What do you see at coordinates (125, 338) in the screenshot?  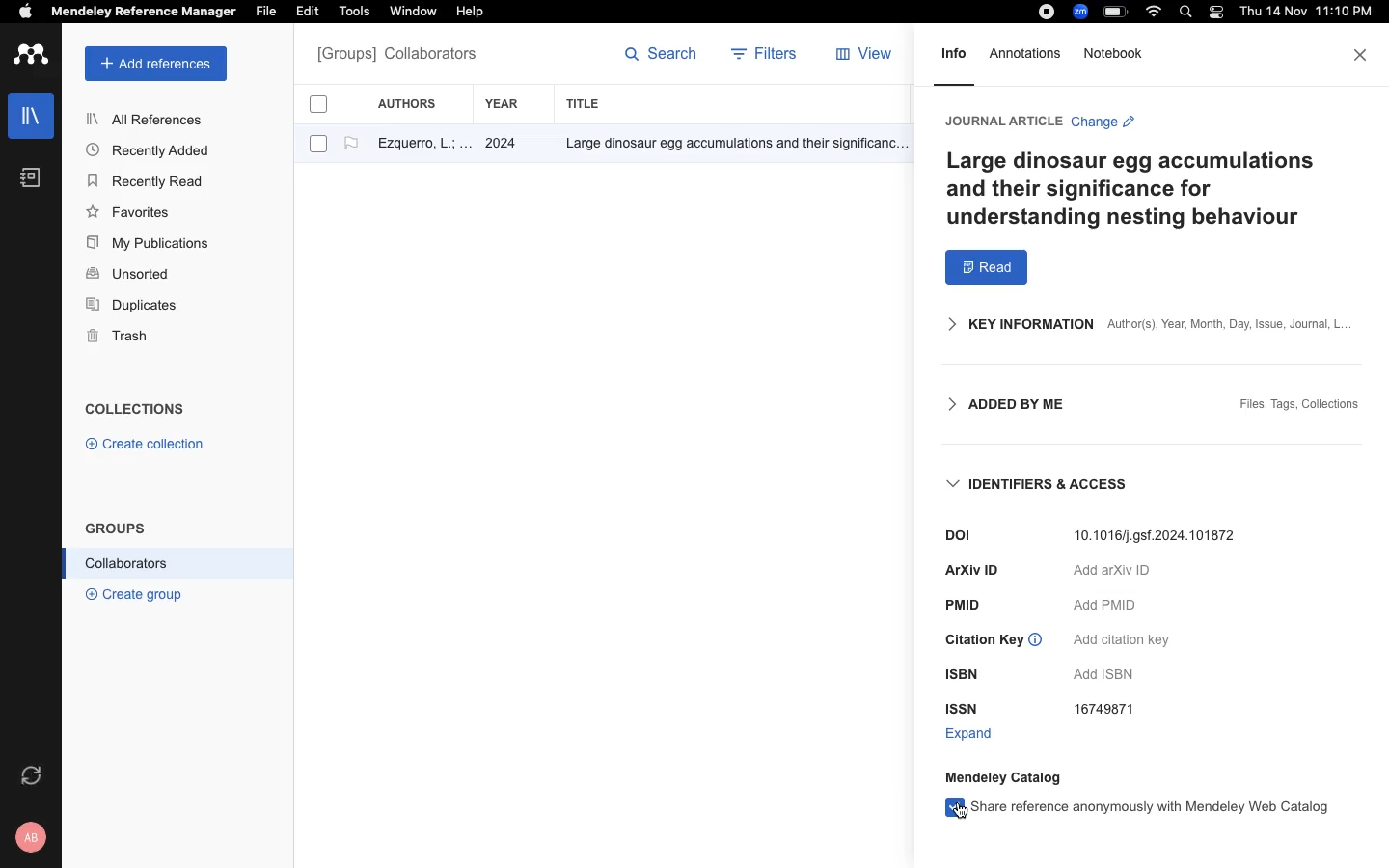 I see `Trash` at bounding box center [125, 338].